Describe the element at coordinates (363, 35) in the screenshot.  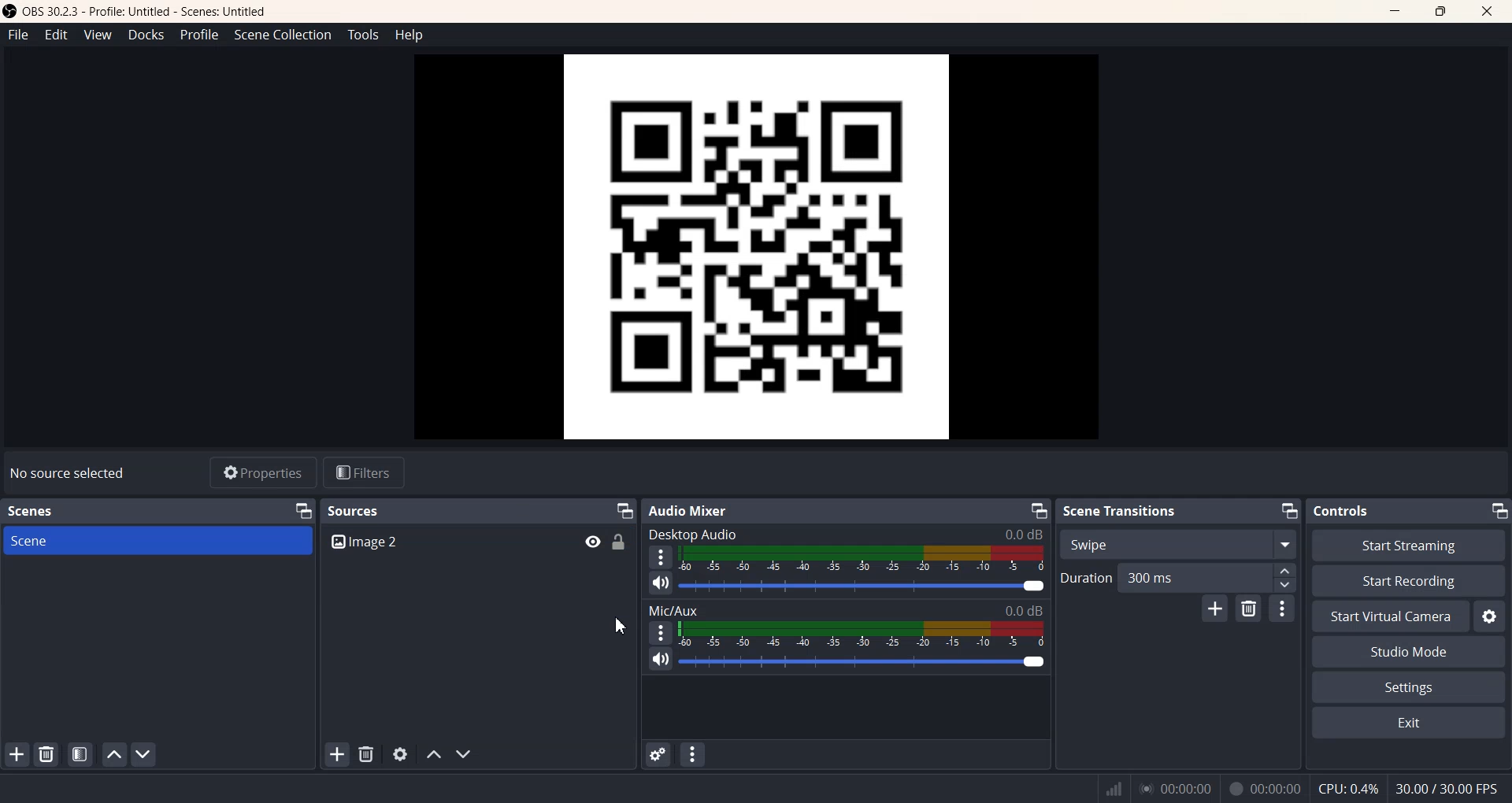
I see `Tools` at that location.